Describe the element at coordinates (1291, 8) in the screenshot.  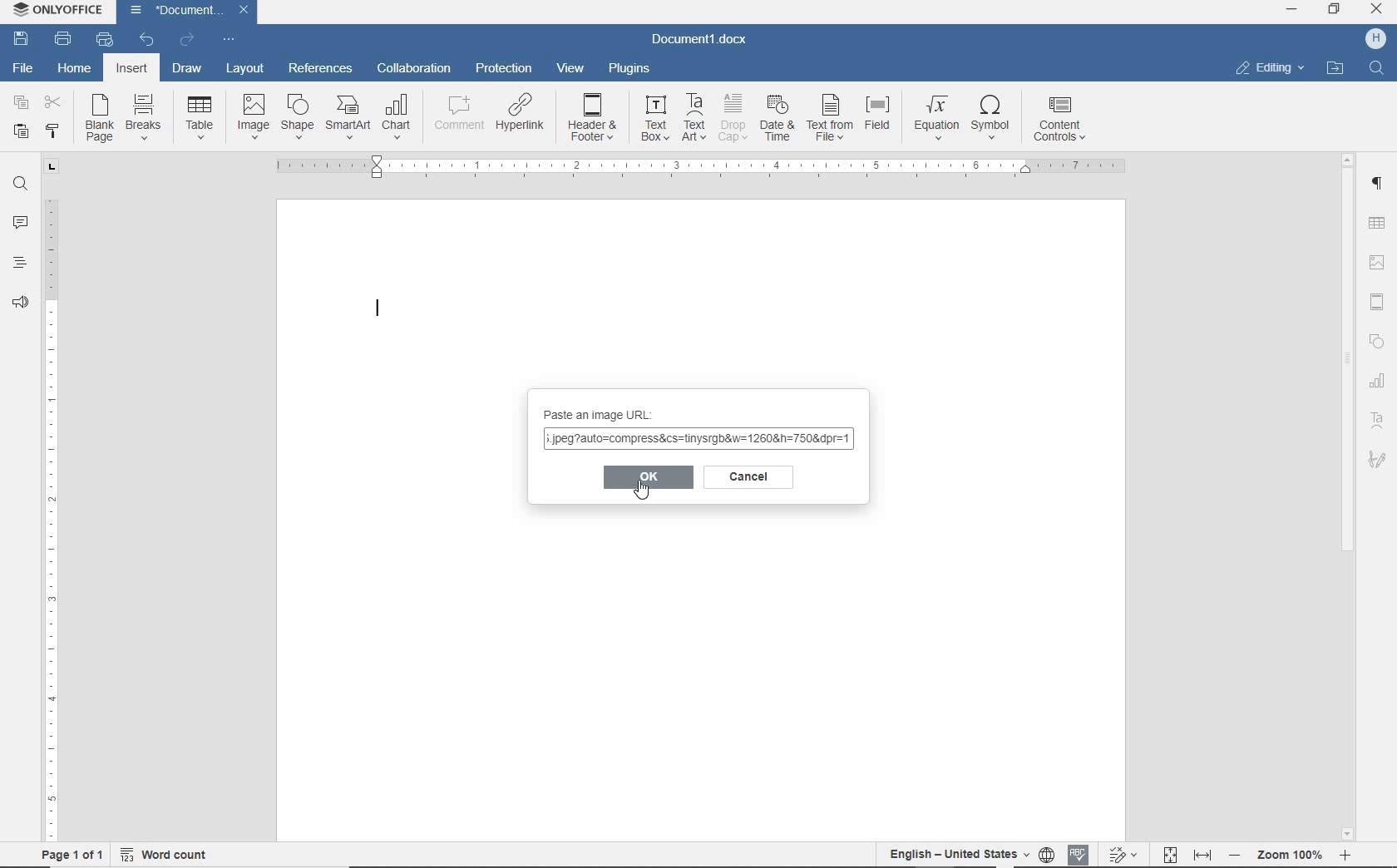
I see `minimize` at that location.